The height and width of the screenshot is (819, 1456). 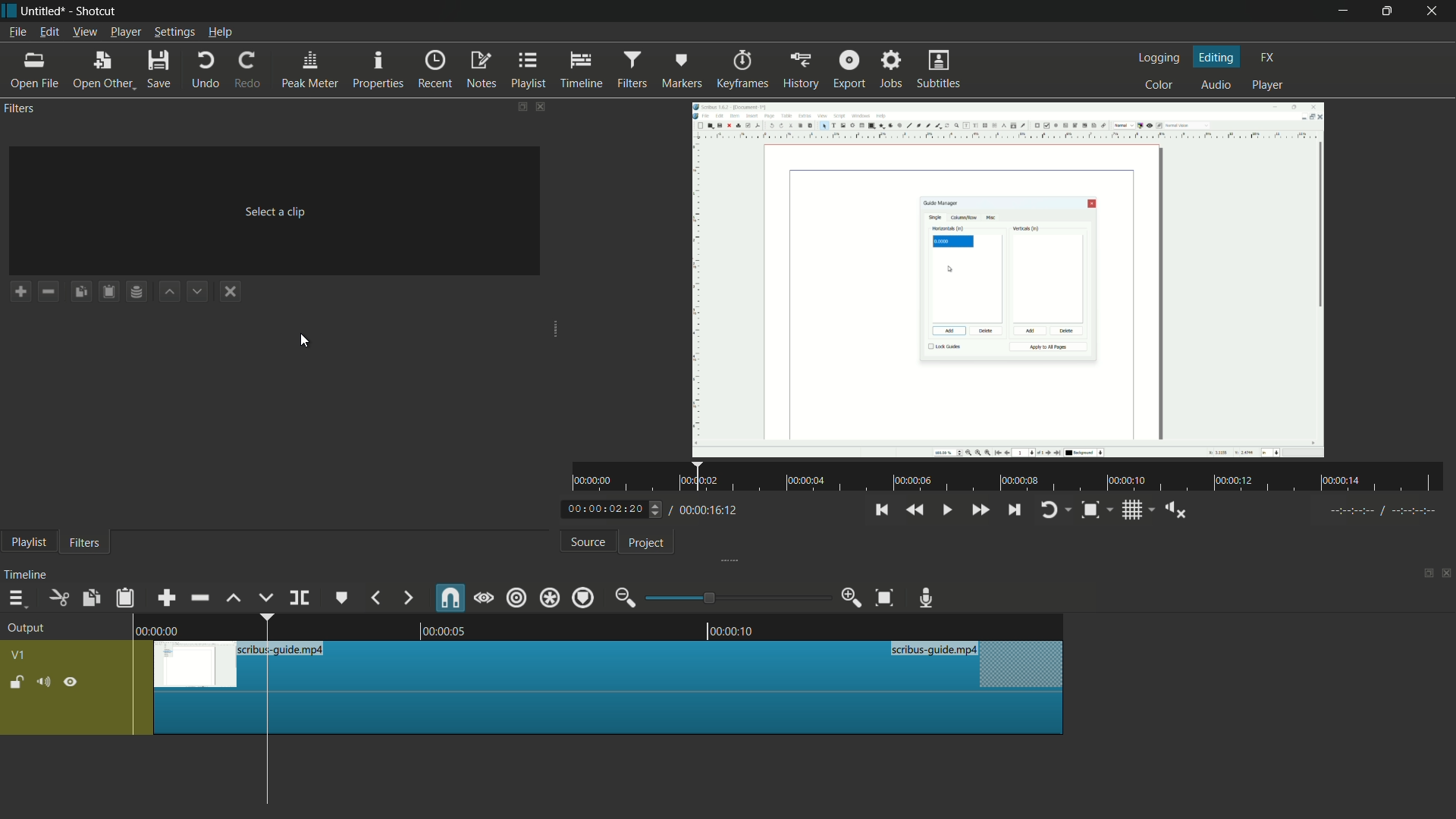 What do you see at coordinates (58, 598) in the screenshot?
I see `cut` at bounding box center [58, 598].